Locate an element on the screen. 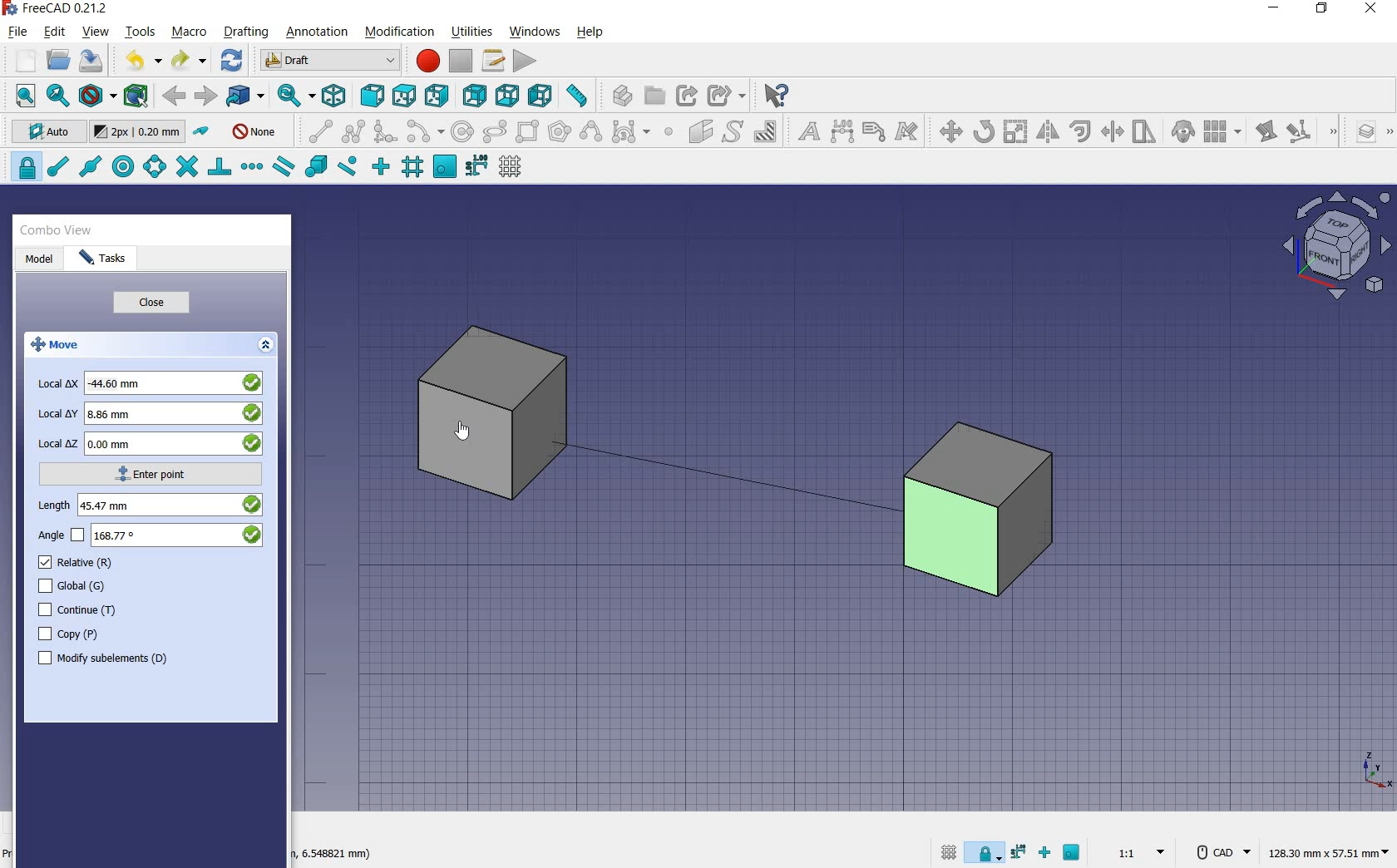 This screenshot has height=868, width=1397. save is located at coordinates (91, 62).